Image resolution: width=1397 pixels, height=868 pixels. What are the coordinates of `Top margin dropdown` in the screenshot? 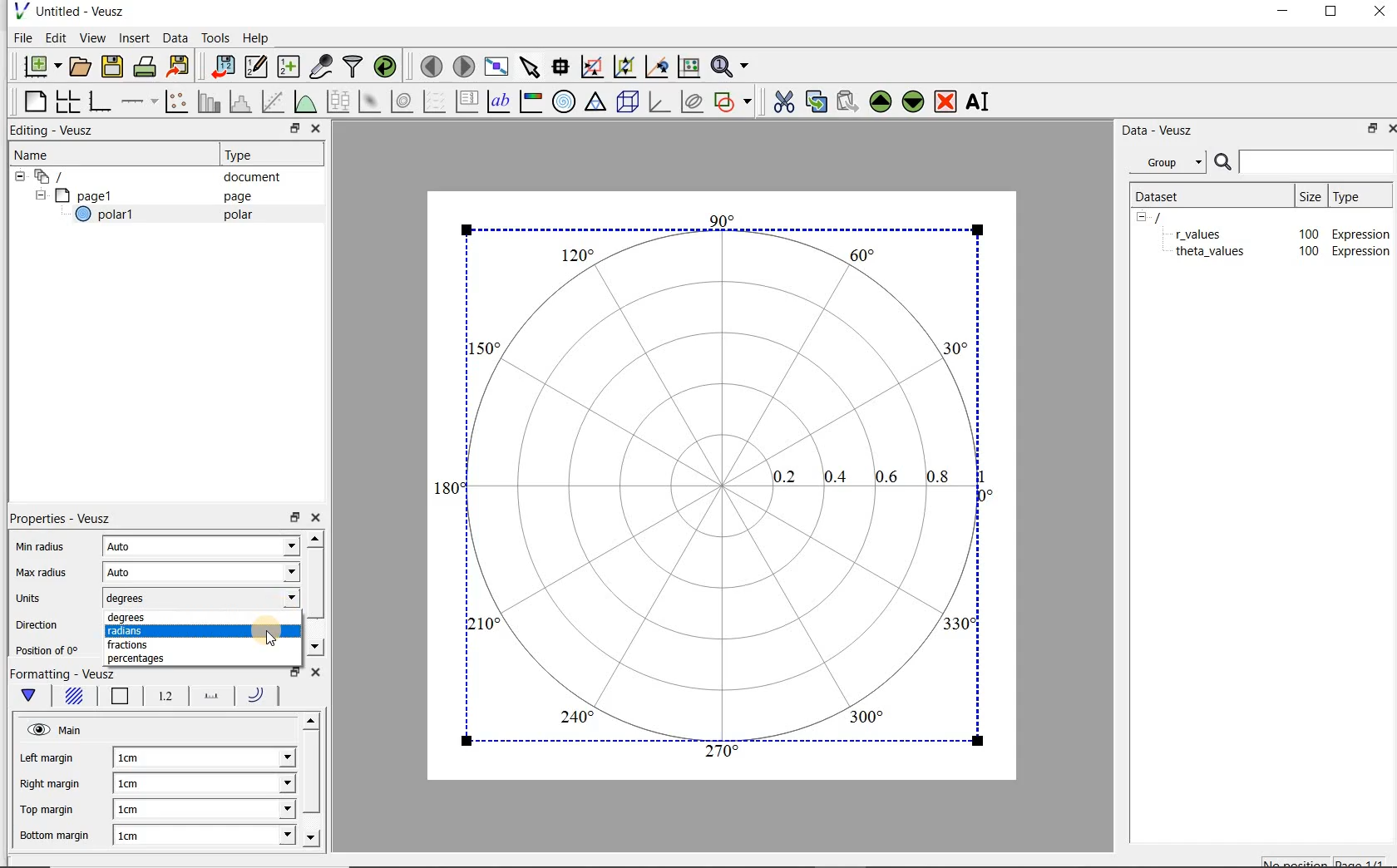 It's located at (269, 810).